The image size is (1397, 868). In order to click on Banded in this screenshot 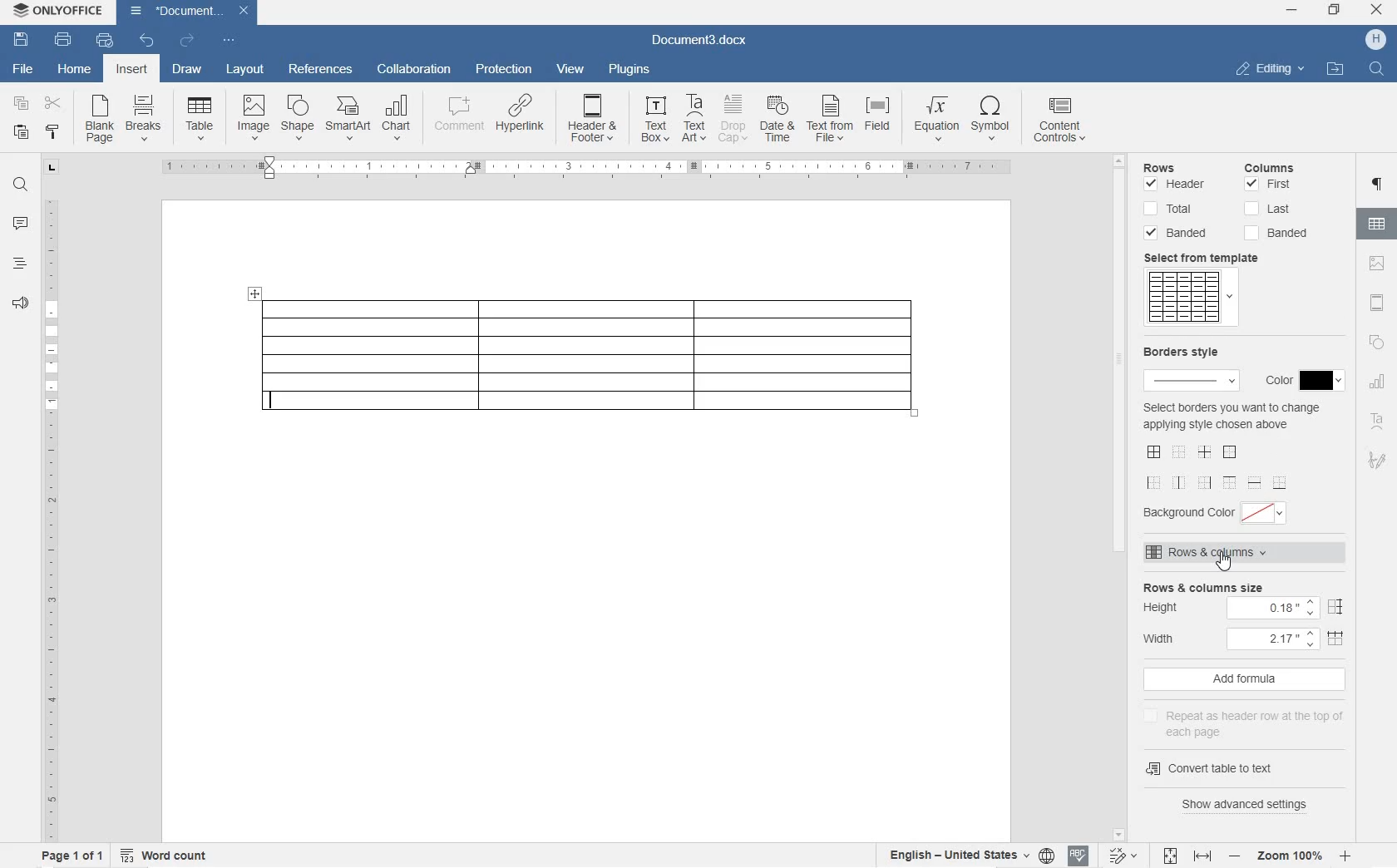, I will do `click(1177, 233)`.